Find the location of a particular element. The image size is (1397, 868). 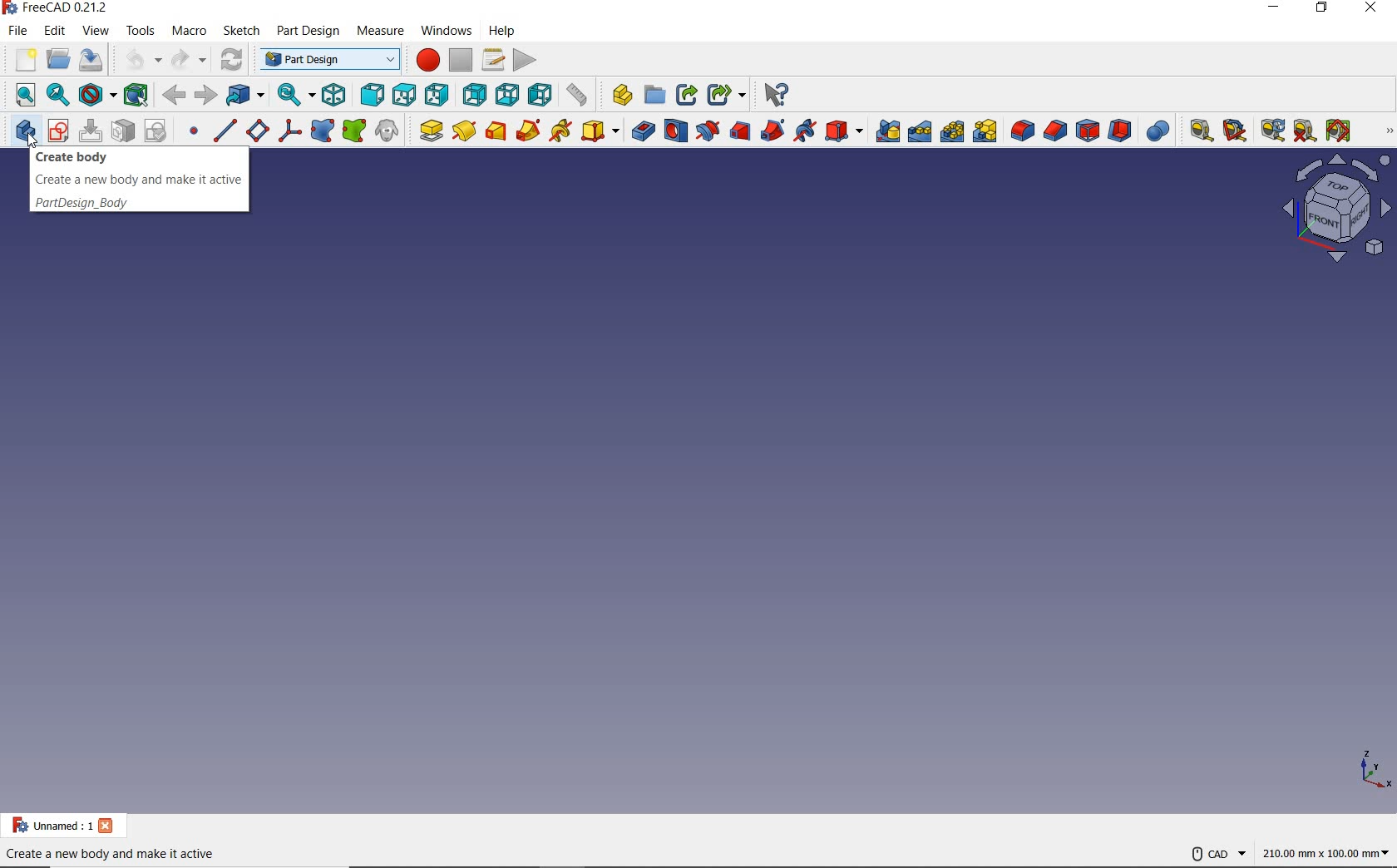

ADDITIVE PIPE is located at coordinates (530, 129).